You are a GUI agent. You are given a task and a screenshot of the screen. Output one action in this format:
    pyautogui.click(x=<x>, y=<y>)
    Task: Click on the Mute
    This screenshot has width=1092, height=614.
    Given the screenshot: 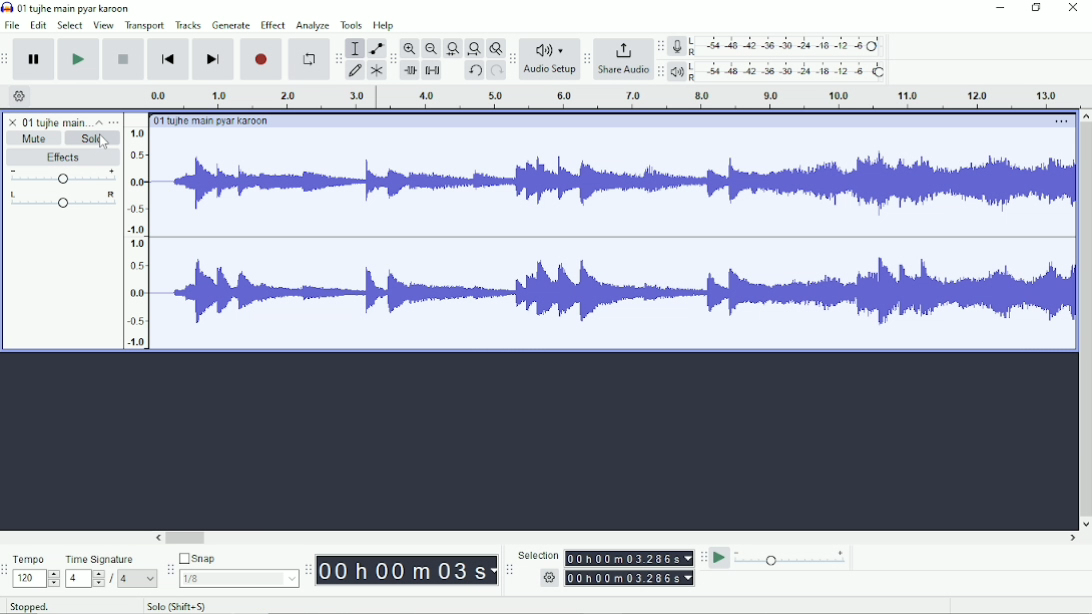 What is the action you would take?
    pyautogui.click(x=32, y=138)
    